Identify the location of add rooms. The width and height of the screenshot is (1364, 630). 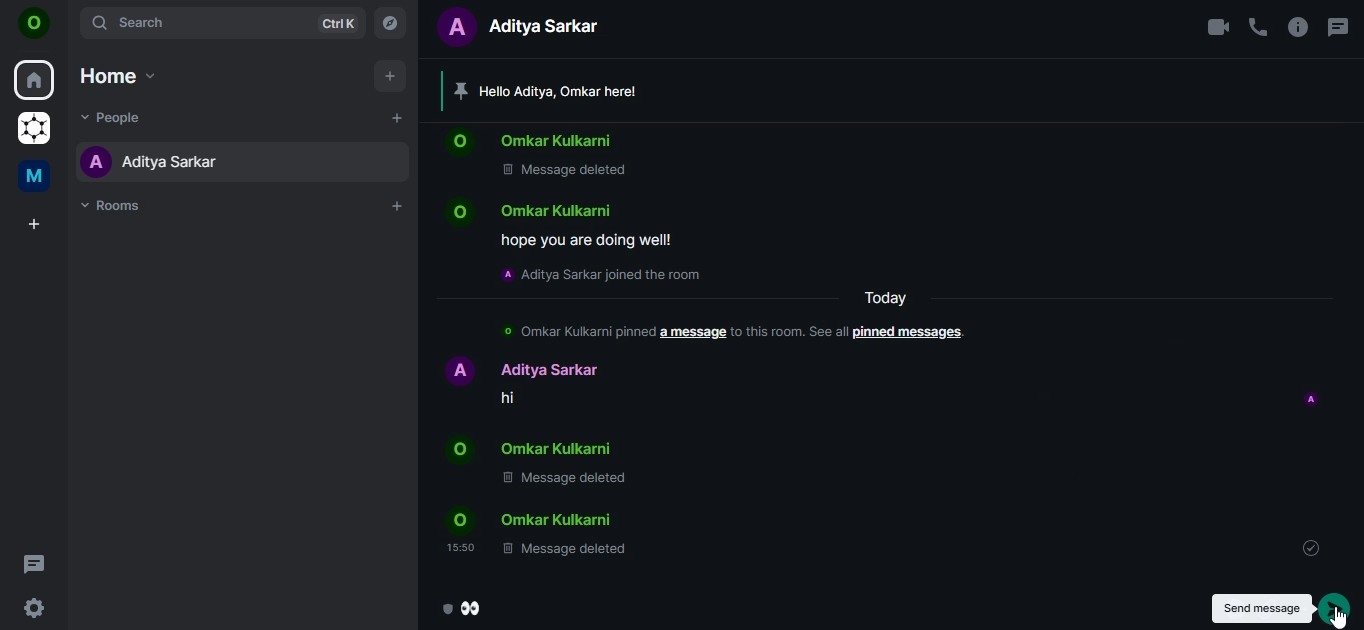
(398, 206).